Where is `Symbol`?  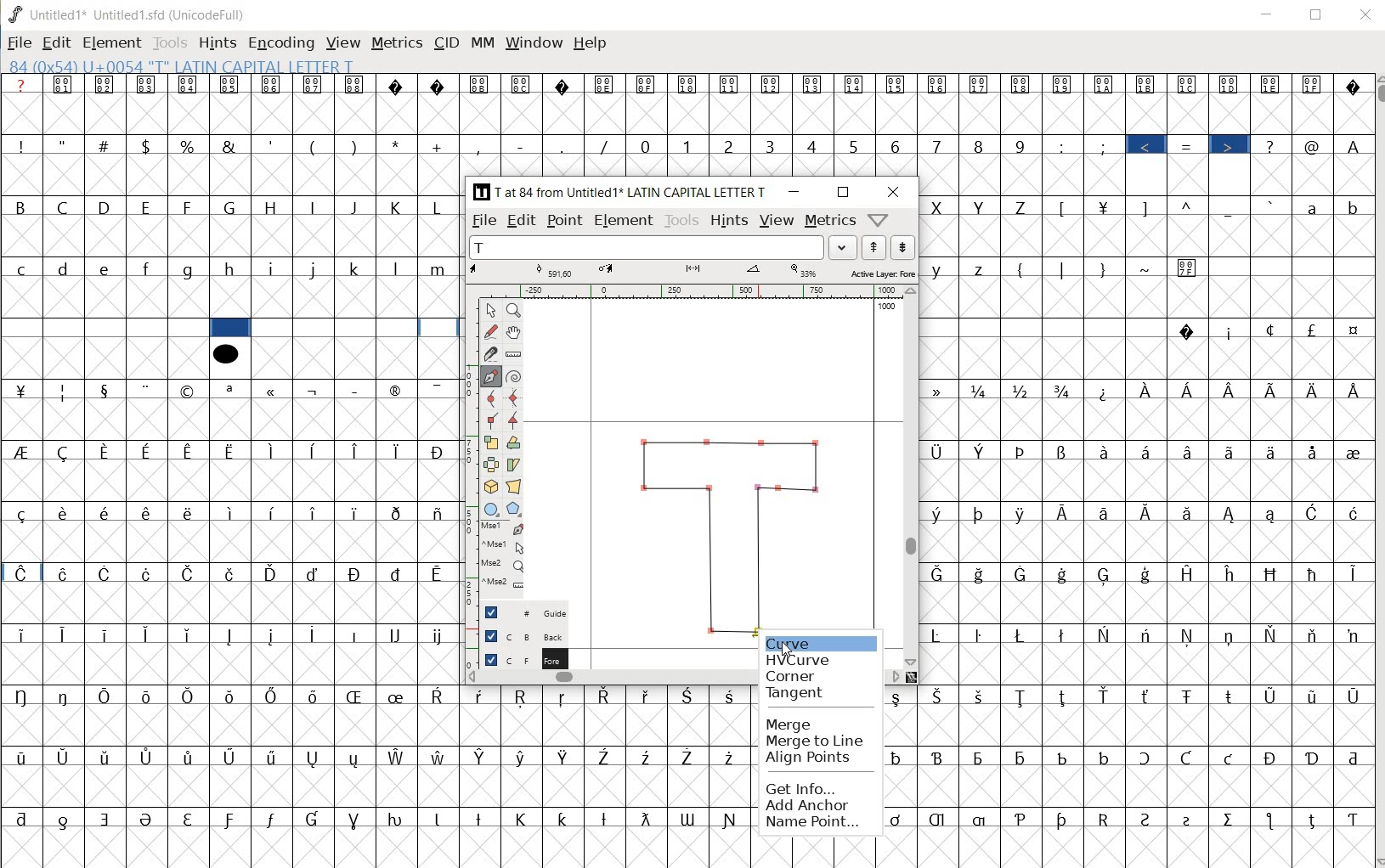
Symbol is located at coordinates (897, 697).